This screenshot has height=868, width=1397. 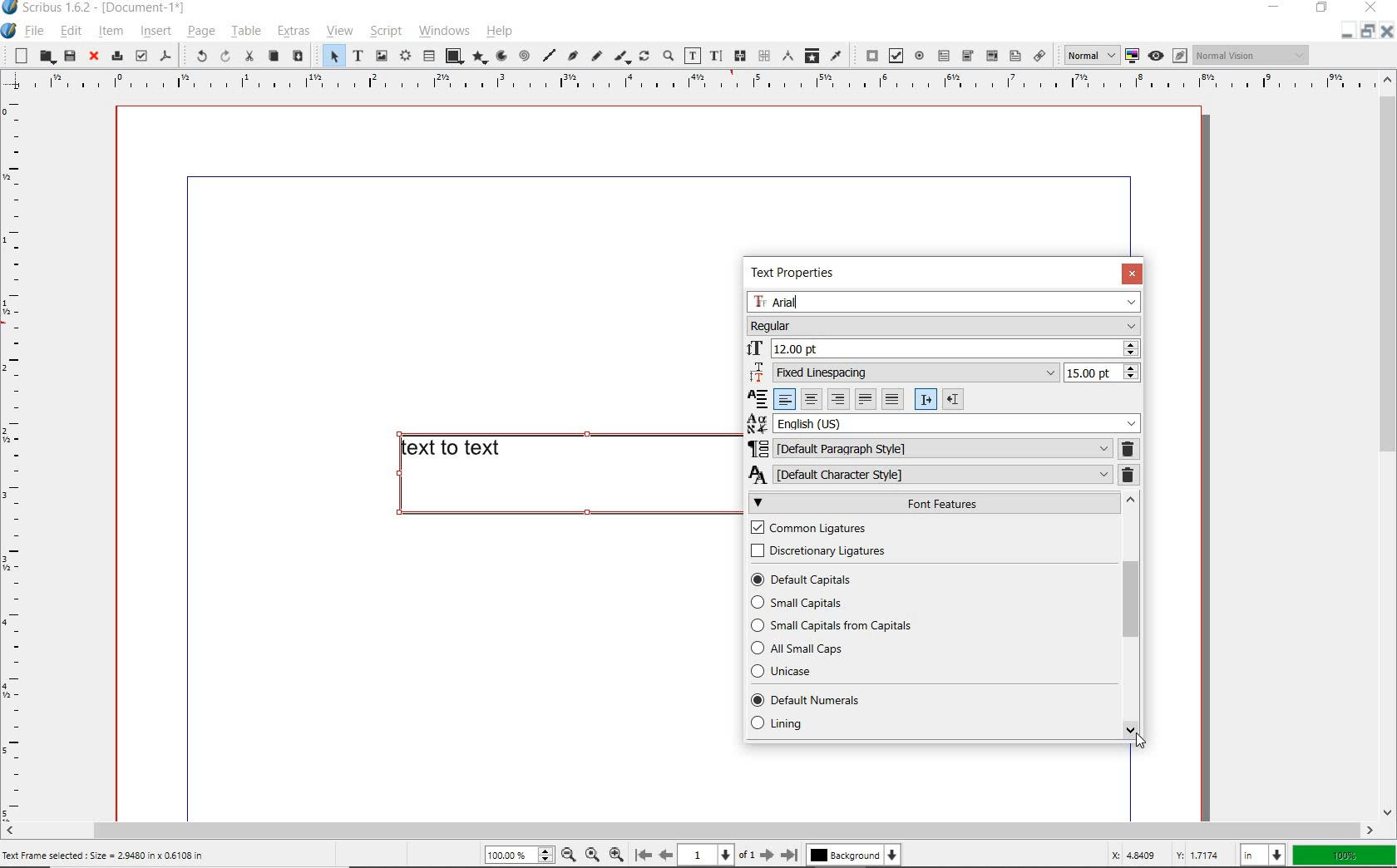 I want to click on preflight verifier, so click(x=141, y=57).